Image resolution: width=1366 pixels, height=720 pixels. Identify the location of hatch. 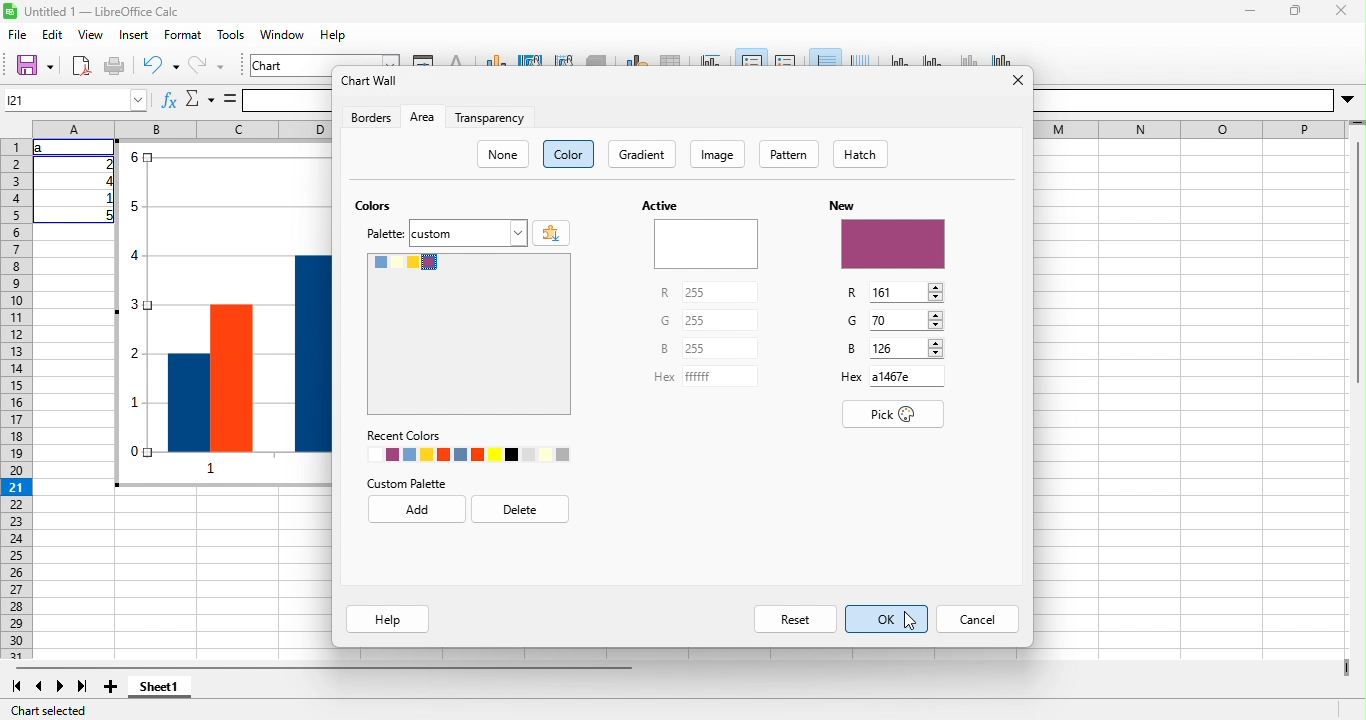
(860, 154).